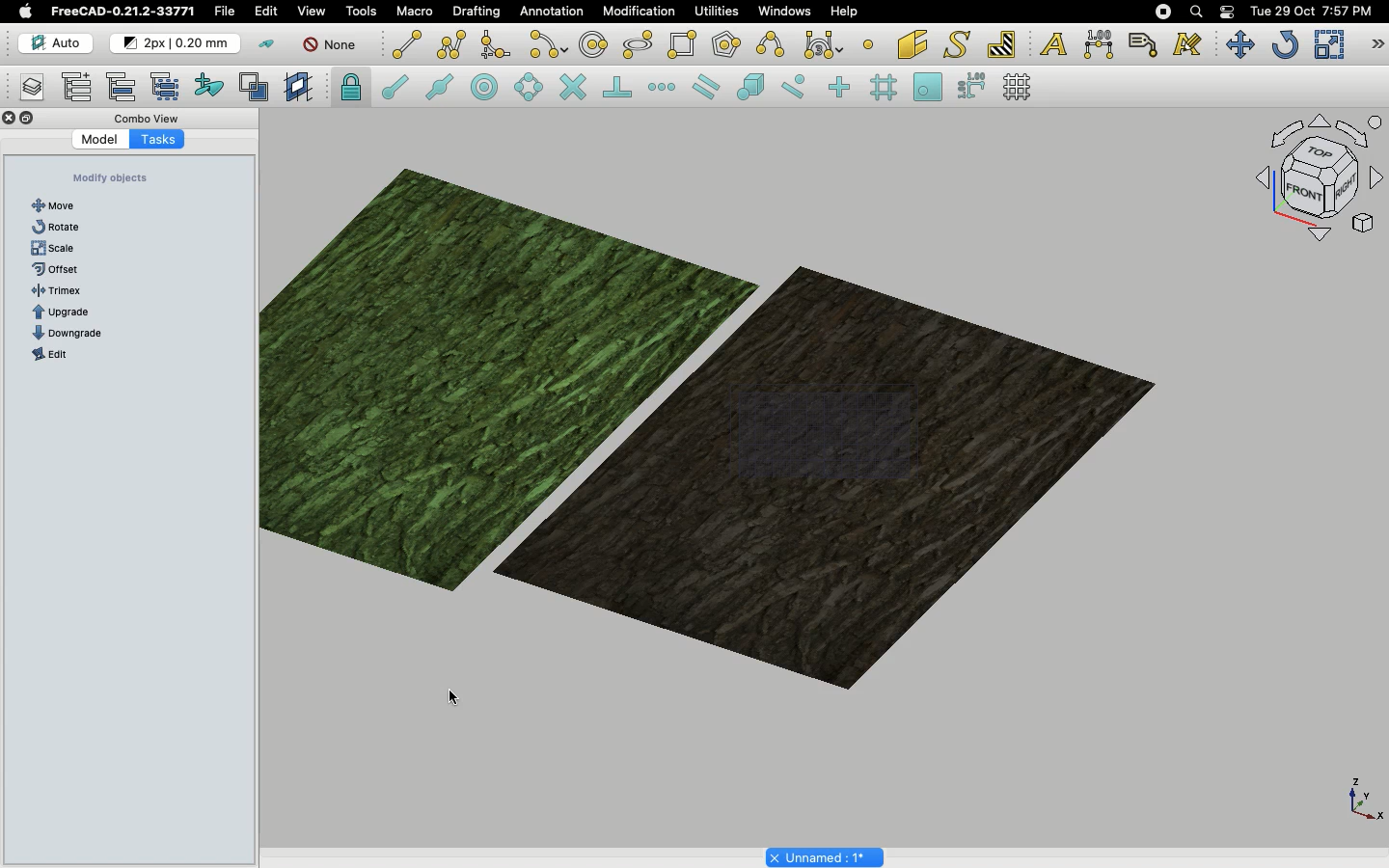 The height and width of the screenshot is (868, 1389). I want to click on Shape from text, so click(960, 46).